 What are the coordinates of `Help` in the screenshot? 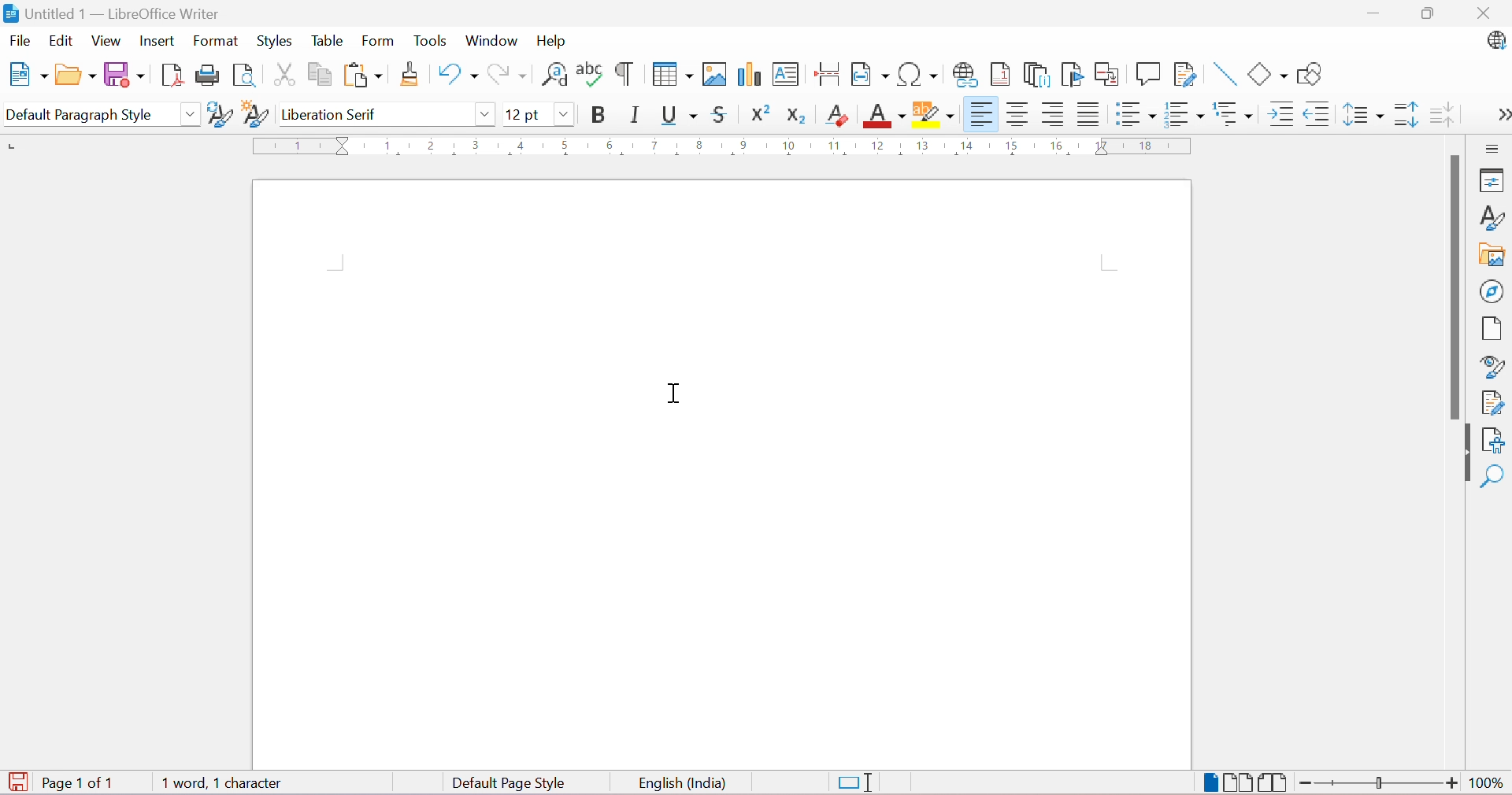 It's located at (551, 40).